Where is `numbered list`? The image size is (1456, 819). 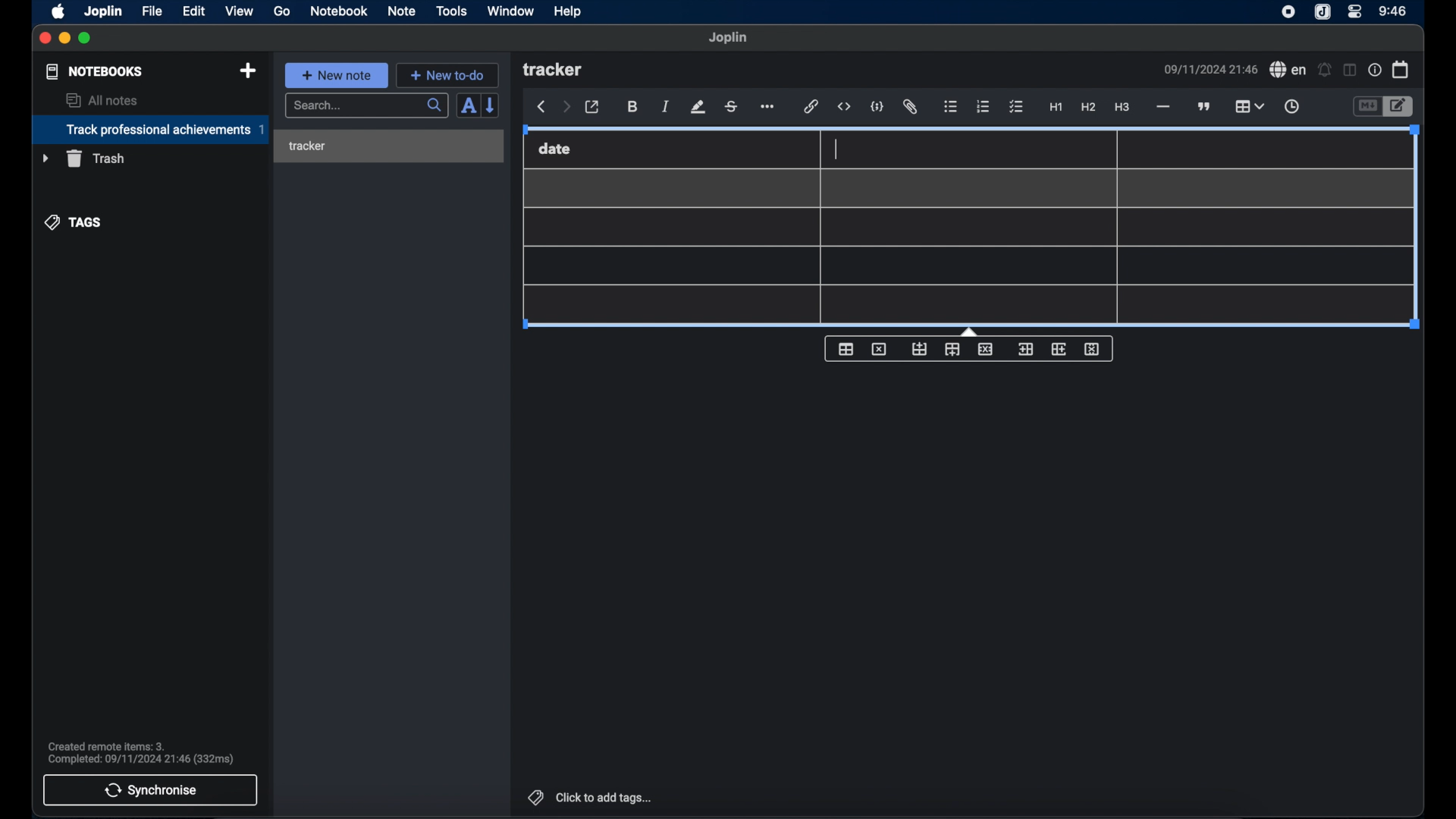 numbered list is located at coordinates (984, 106).